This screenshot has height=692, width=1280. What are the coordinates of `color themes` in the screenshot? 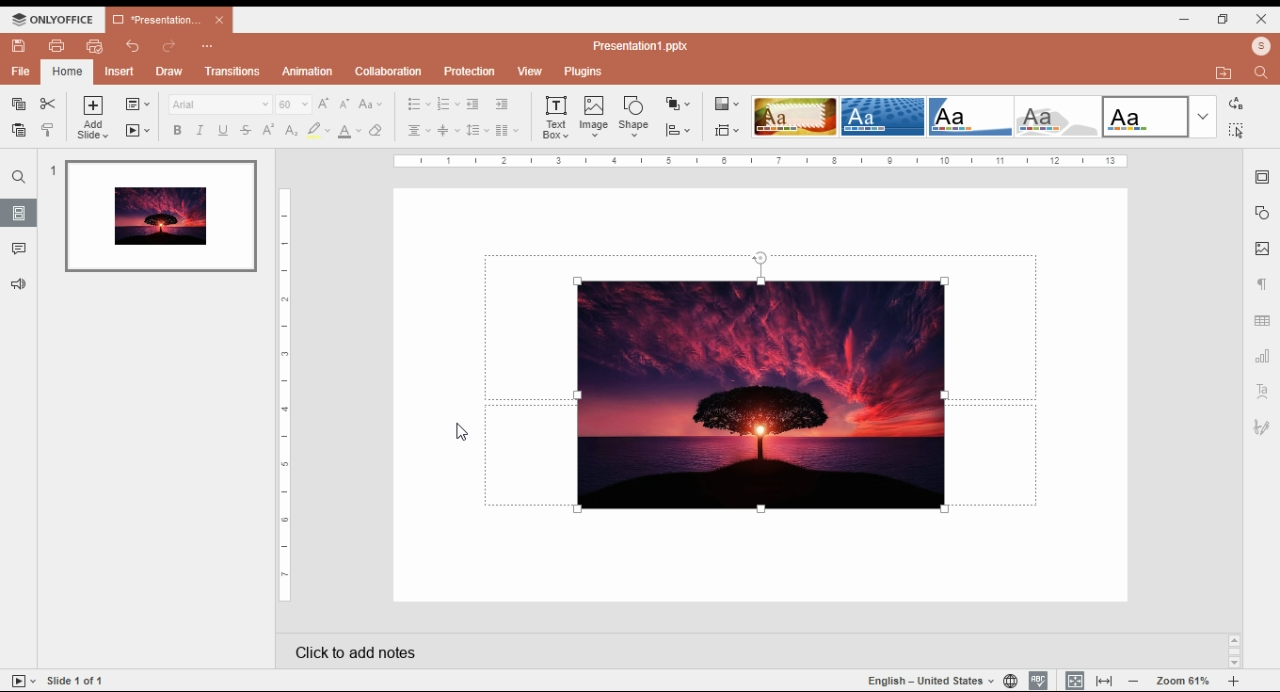 It's located at (724, 103).